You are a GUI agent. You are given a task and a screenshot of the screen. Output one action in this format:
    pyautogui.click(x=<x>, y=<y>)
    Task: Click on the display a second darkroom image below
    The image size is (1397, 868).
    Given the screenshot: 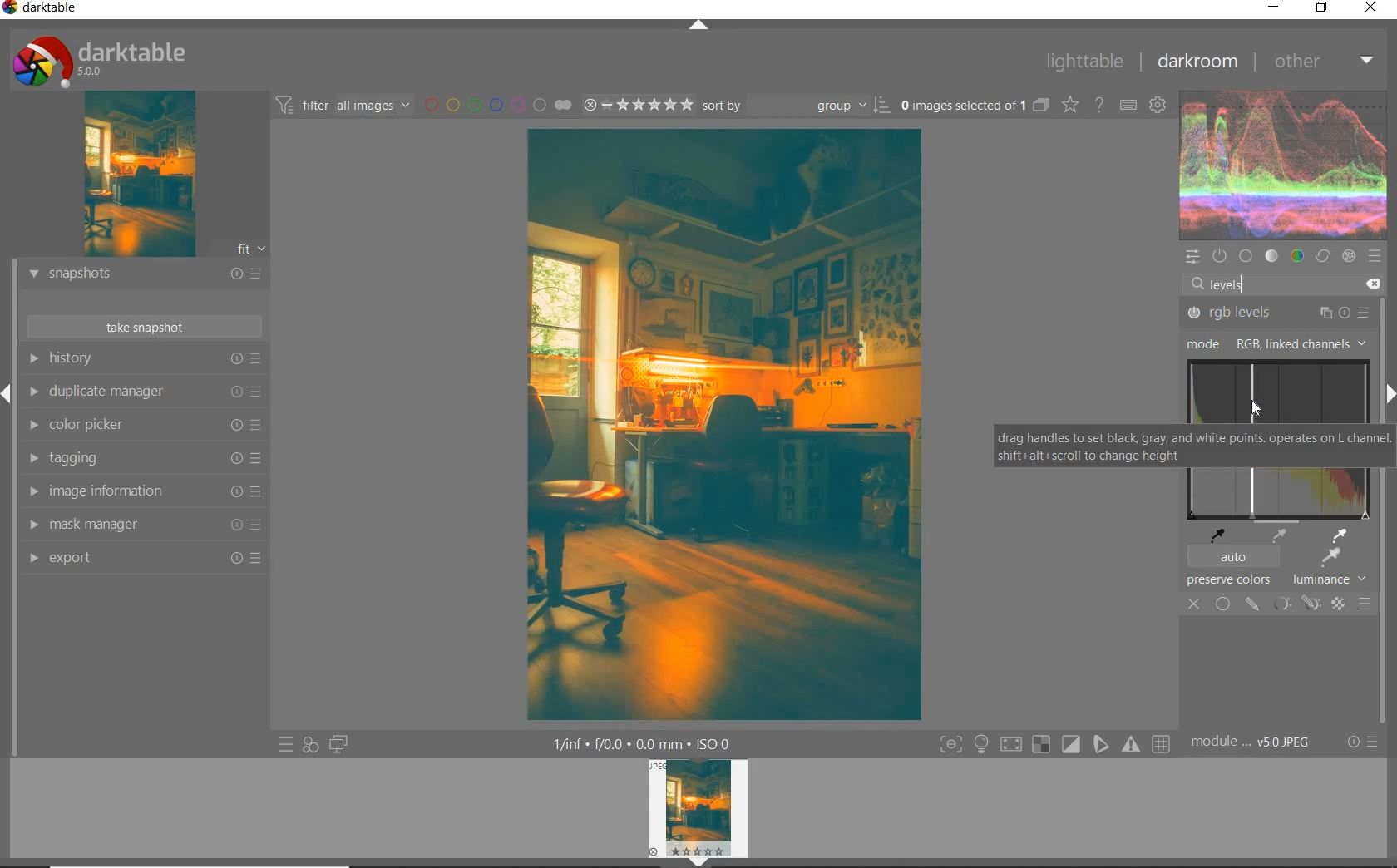 What is the action you would take?
    pyautogui.click(x=338, y=745)
    